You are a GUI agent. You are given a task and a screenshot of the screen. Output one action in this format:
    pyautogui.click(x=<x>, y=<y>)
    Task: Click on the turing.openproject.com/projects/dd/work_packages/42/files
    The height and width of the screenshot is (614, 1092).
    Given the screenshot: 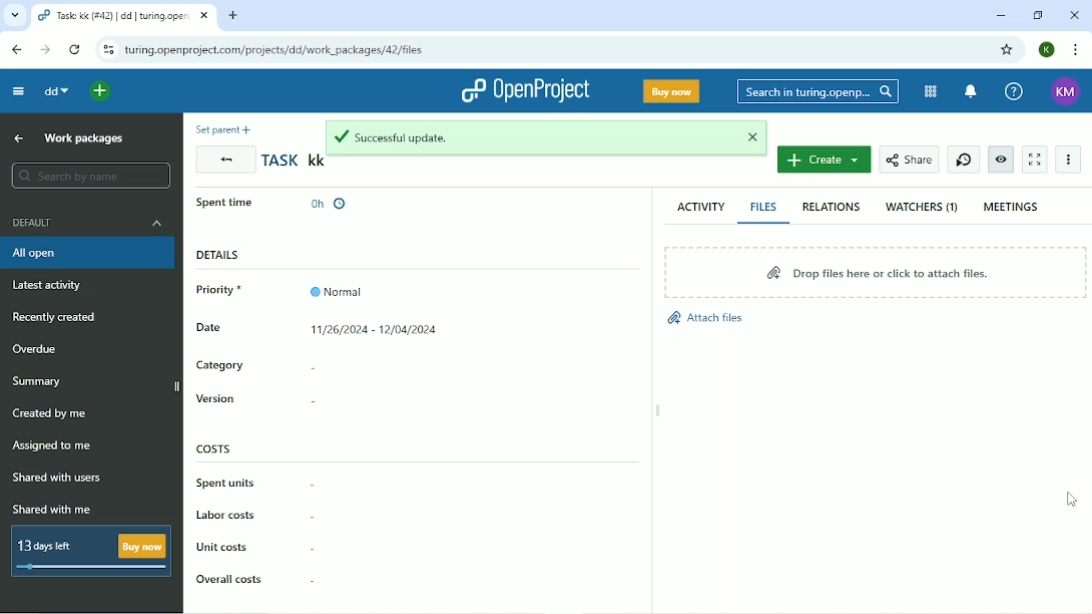 What is the action you would take?
    pyautogui.click(x=277, y=50)
    